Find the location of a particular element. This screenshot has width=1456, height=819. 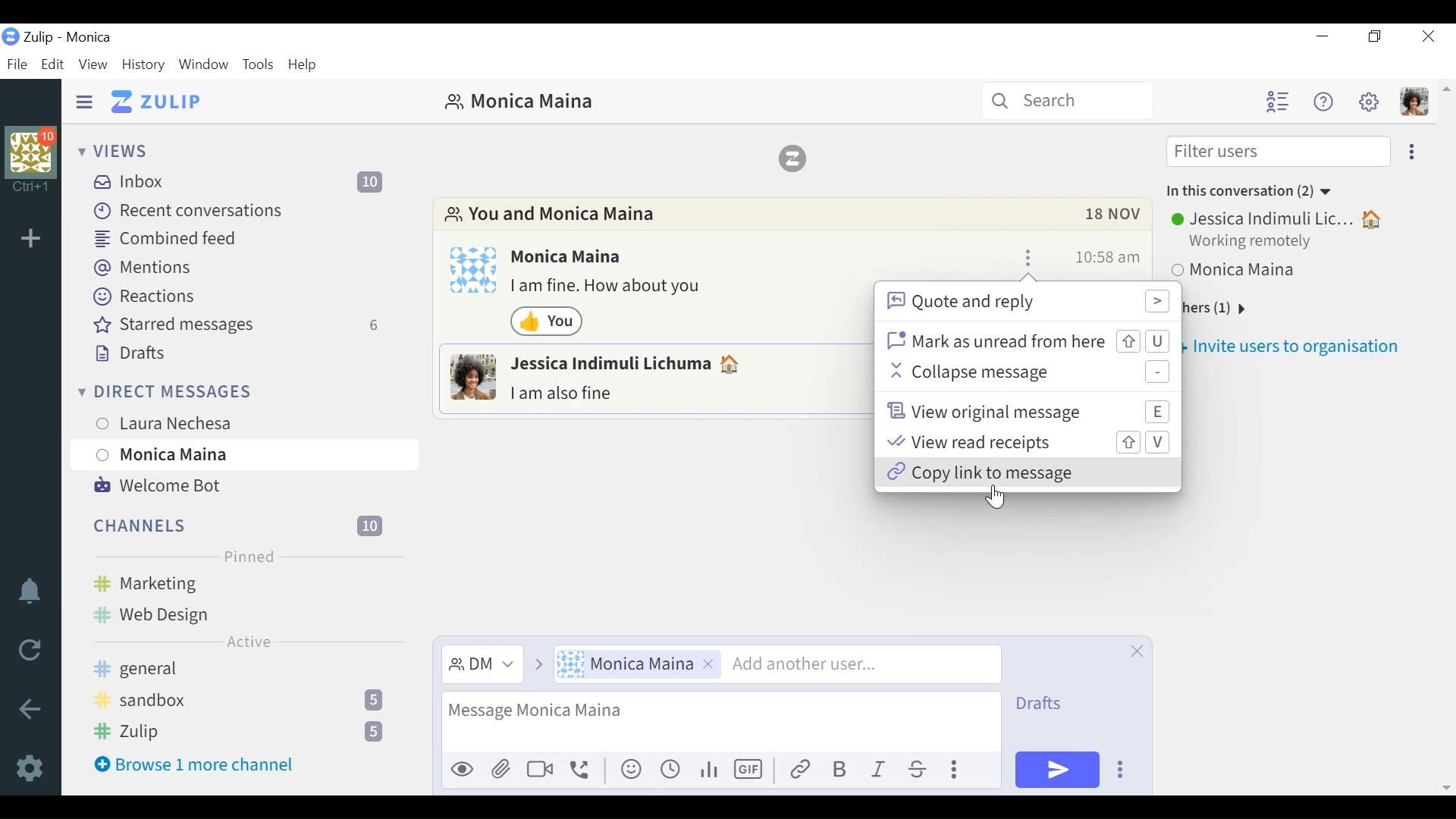

Web Design is located at coordinates (186, 612).